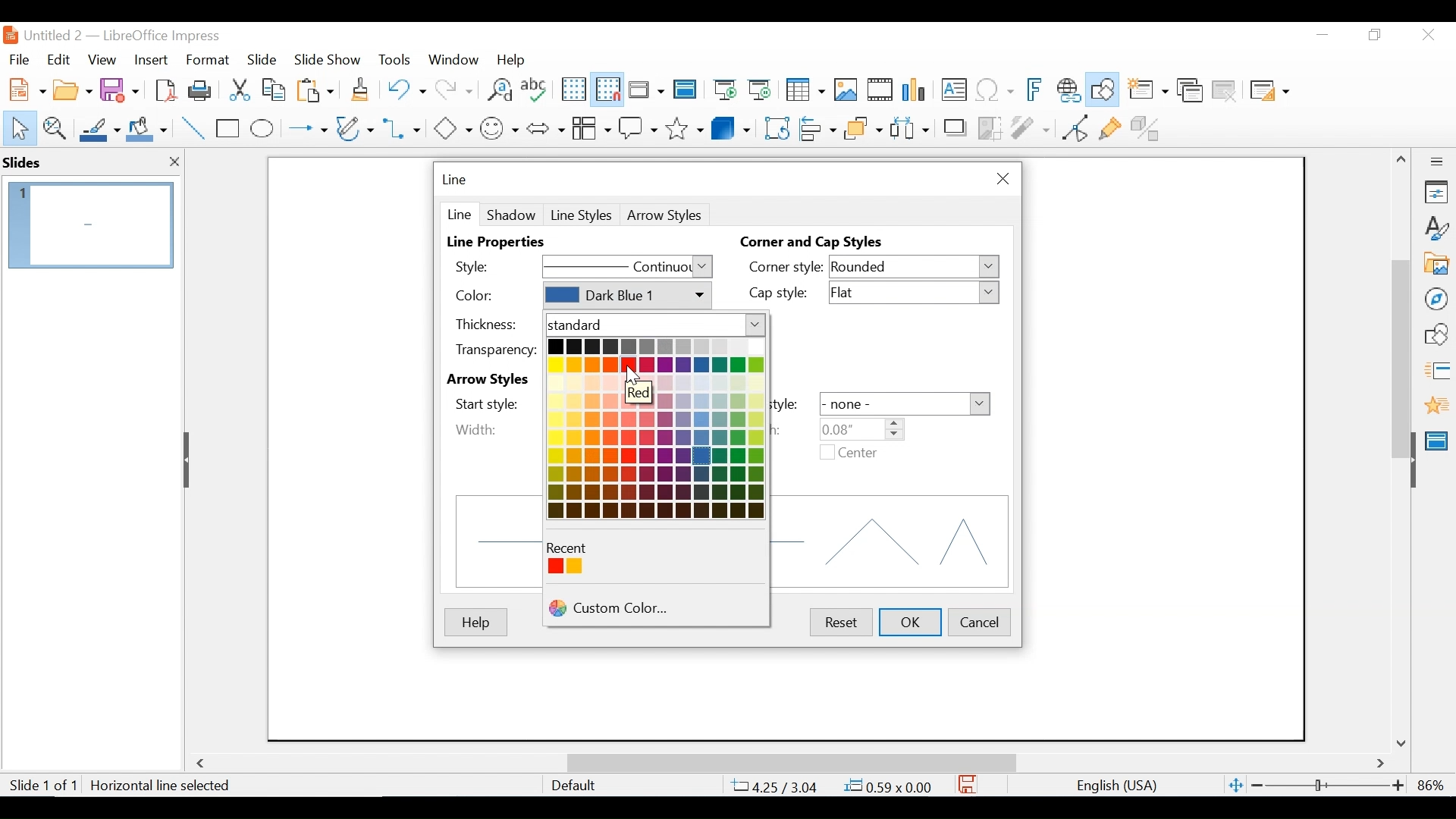 The width and height of the screenshot is (1456, 819). I want to click on Line Styles, so click(582, 215).